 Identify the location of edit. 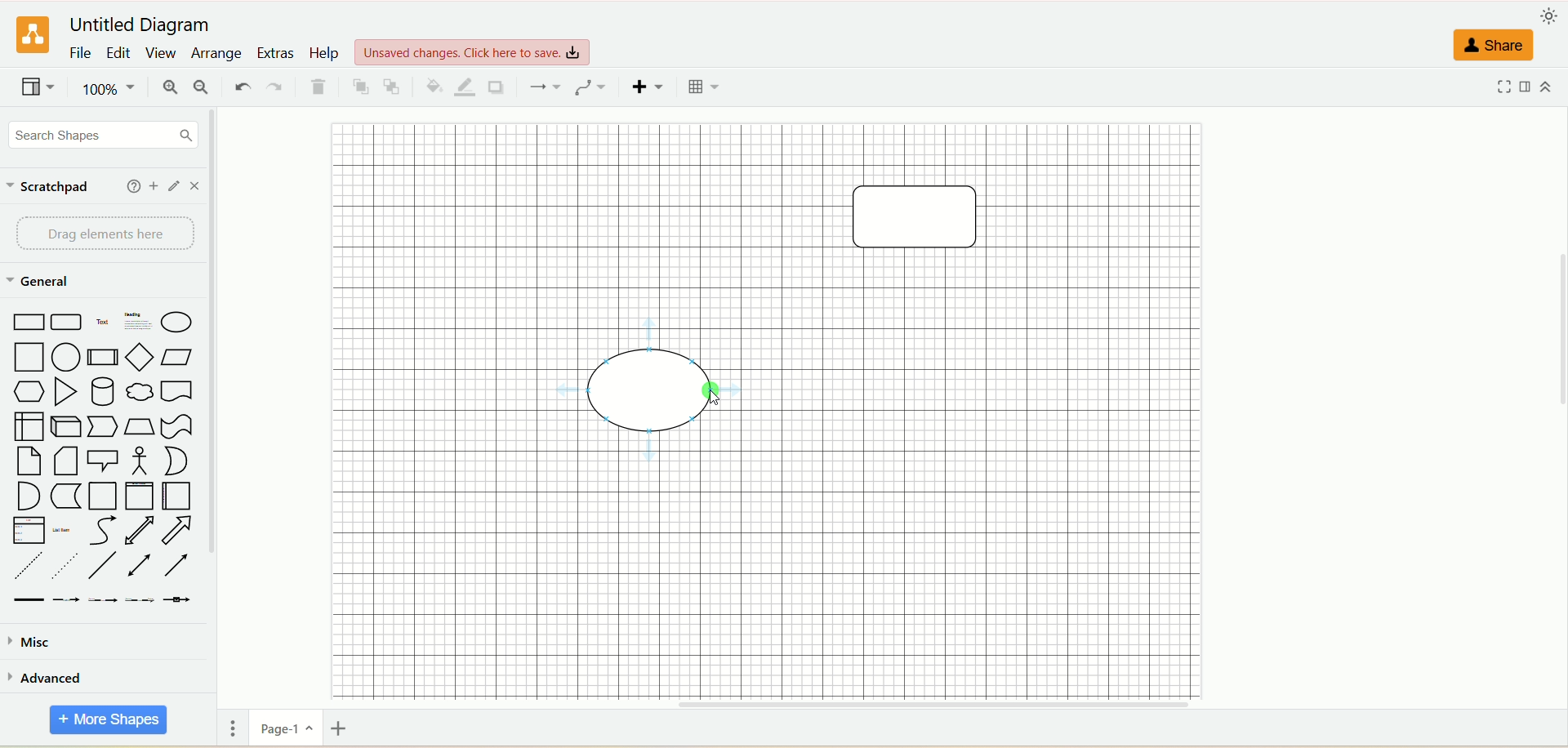
(175, 186).